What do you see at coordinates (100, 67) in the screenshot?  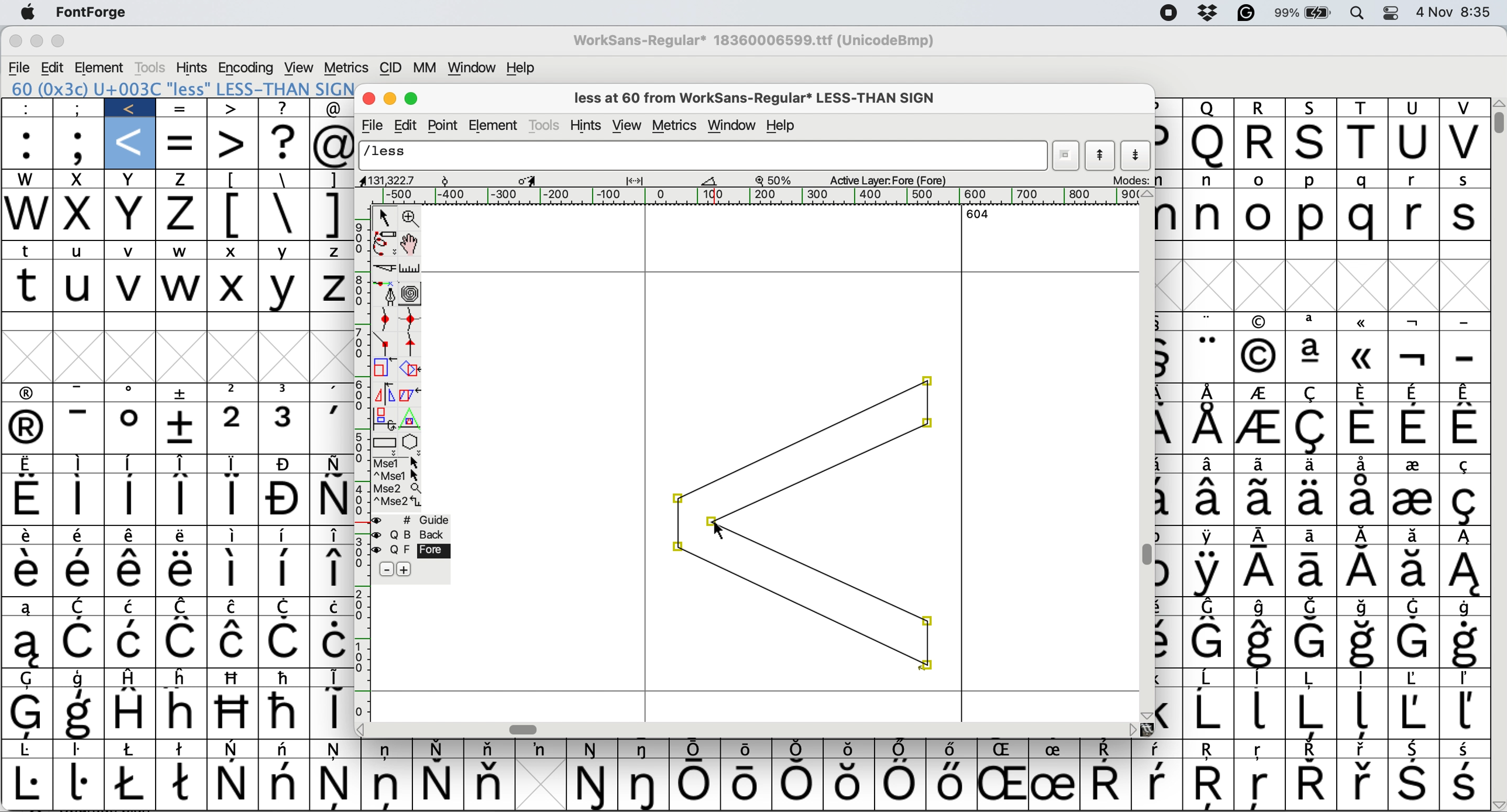 I see `element` at bounding box center [100, 67].